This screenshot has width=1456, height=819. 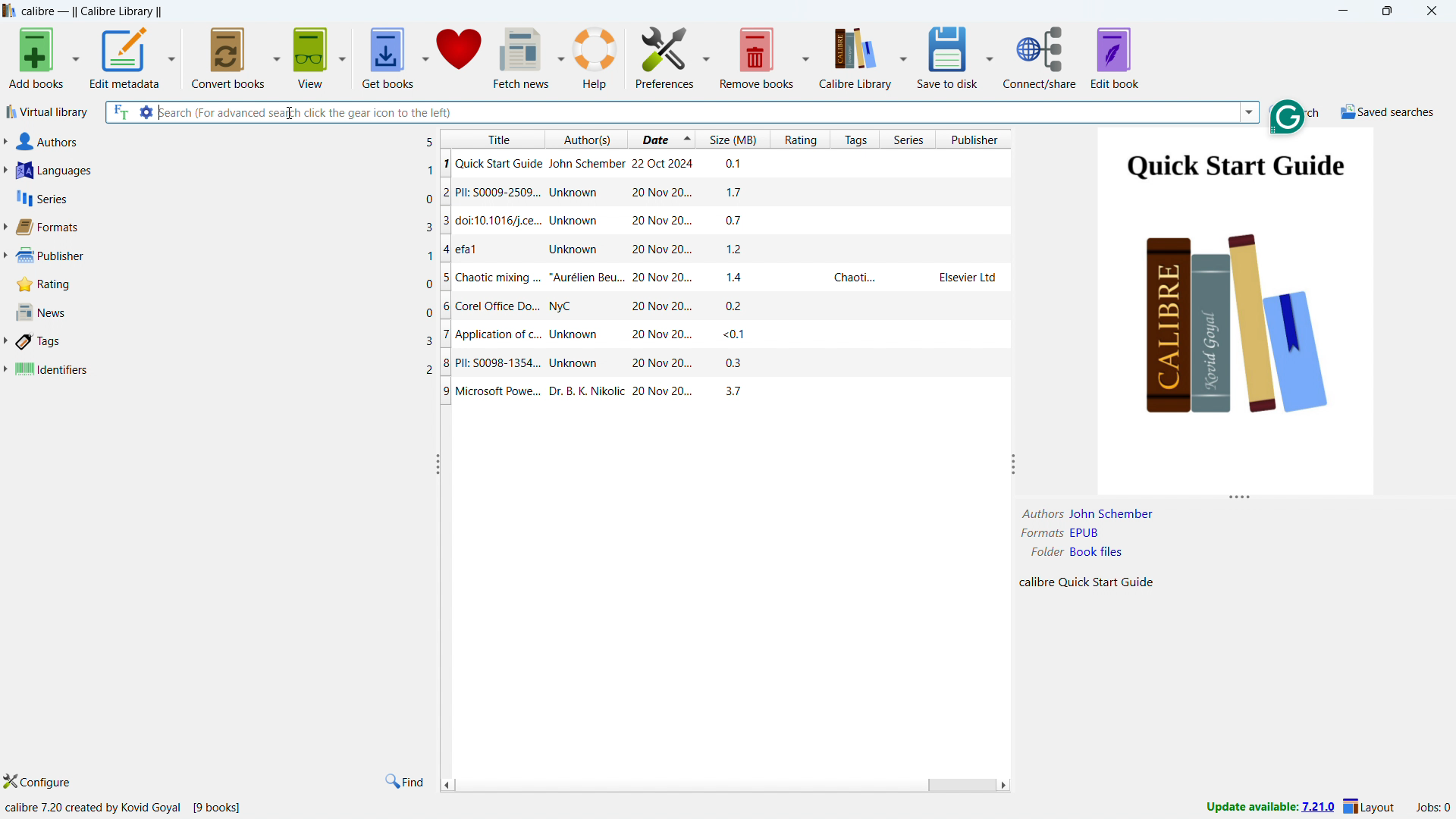 What do you see at coordinates (726, 193) in the screenshot?
I see `PIL: S009-2509...` at bounding box center [726, 193].